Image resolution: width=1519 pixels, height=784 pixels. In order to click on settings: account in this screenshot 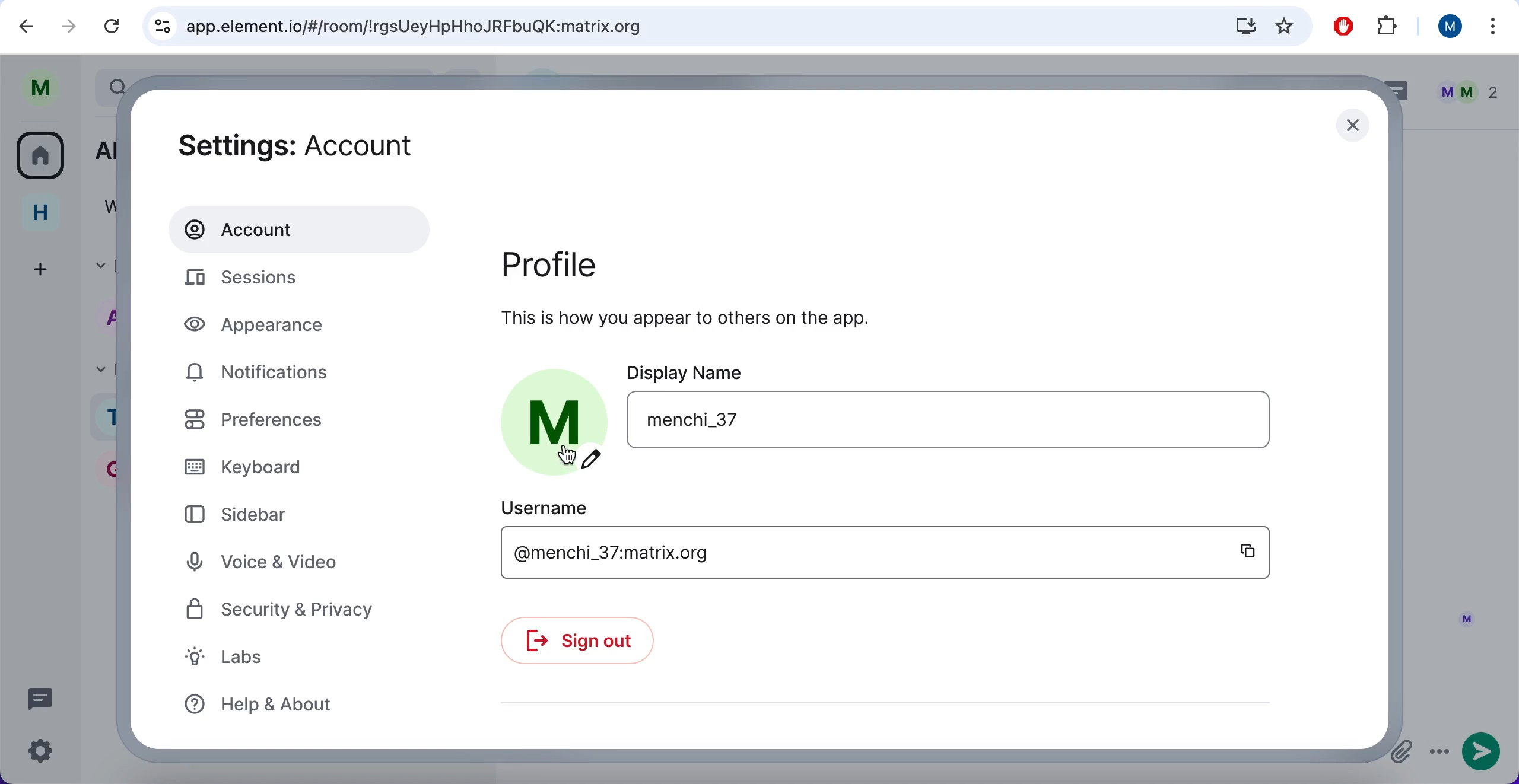, I will do `click(322, 145)`.